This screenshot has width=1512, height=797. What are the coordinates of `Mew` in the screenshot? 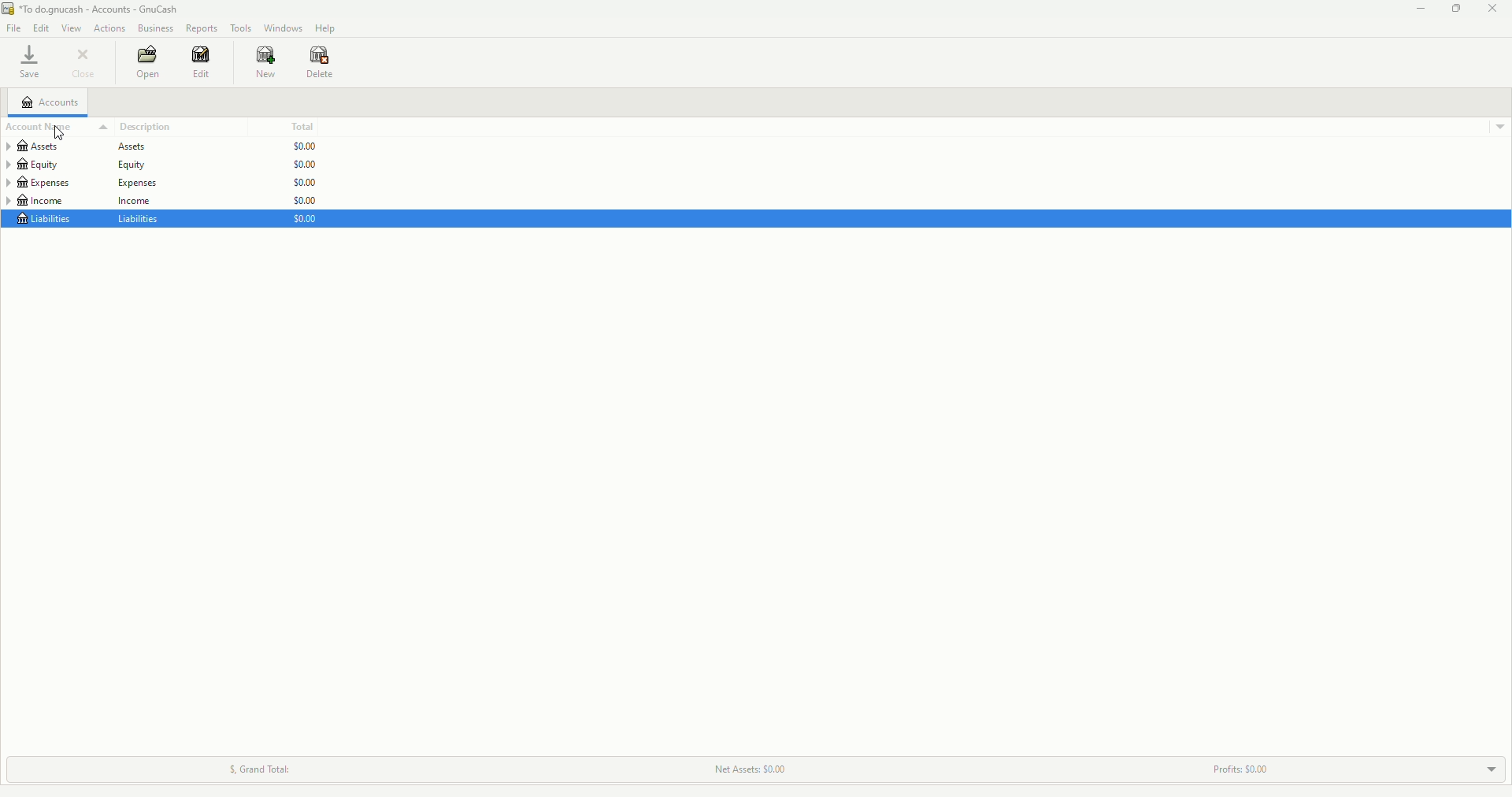 It's located at (262, 61).